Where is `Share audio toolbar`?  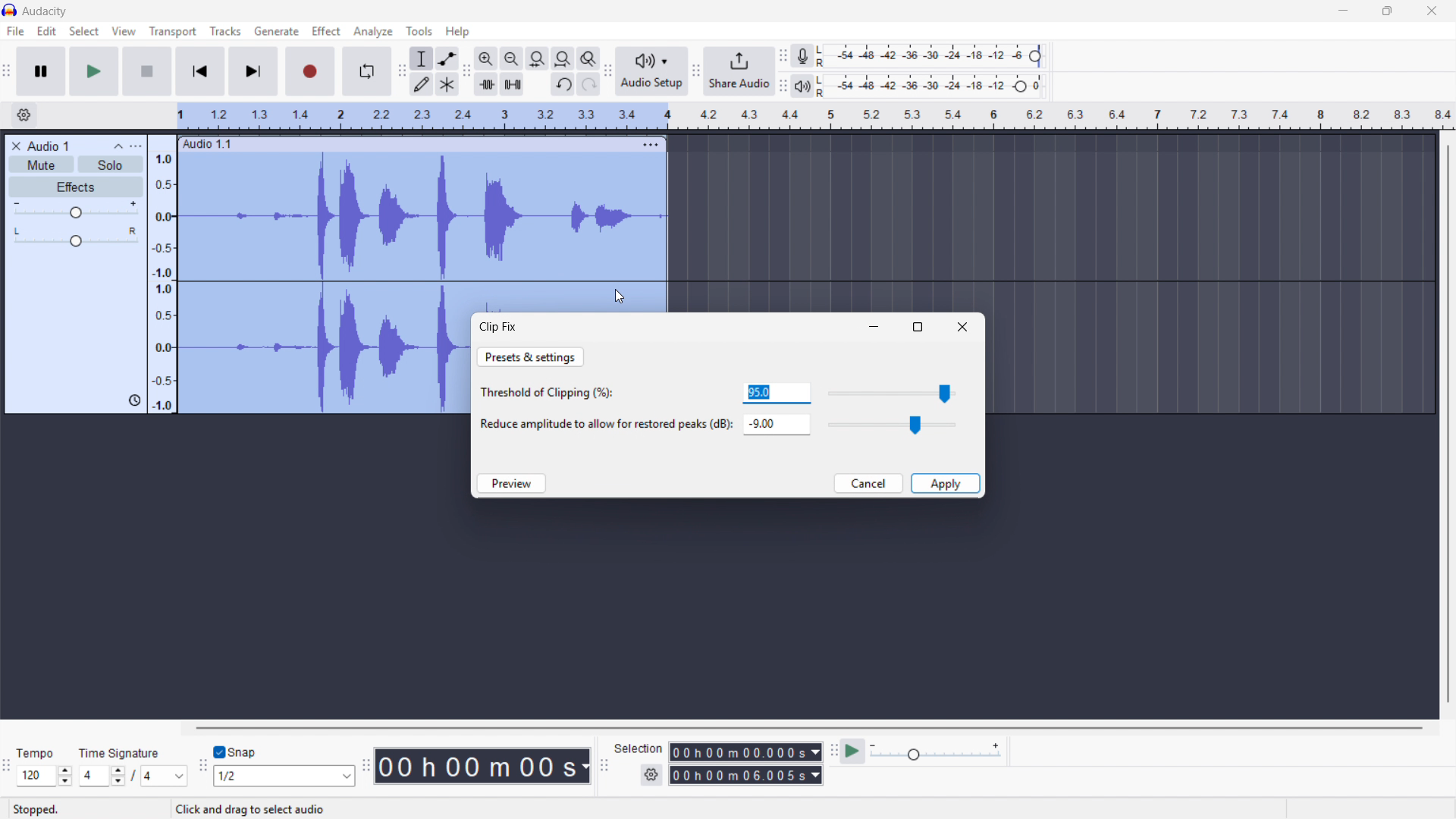 Share audio toolbar is located at coordinates (696, 71).